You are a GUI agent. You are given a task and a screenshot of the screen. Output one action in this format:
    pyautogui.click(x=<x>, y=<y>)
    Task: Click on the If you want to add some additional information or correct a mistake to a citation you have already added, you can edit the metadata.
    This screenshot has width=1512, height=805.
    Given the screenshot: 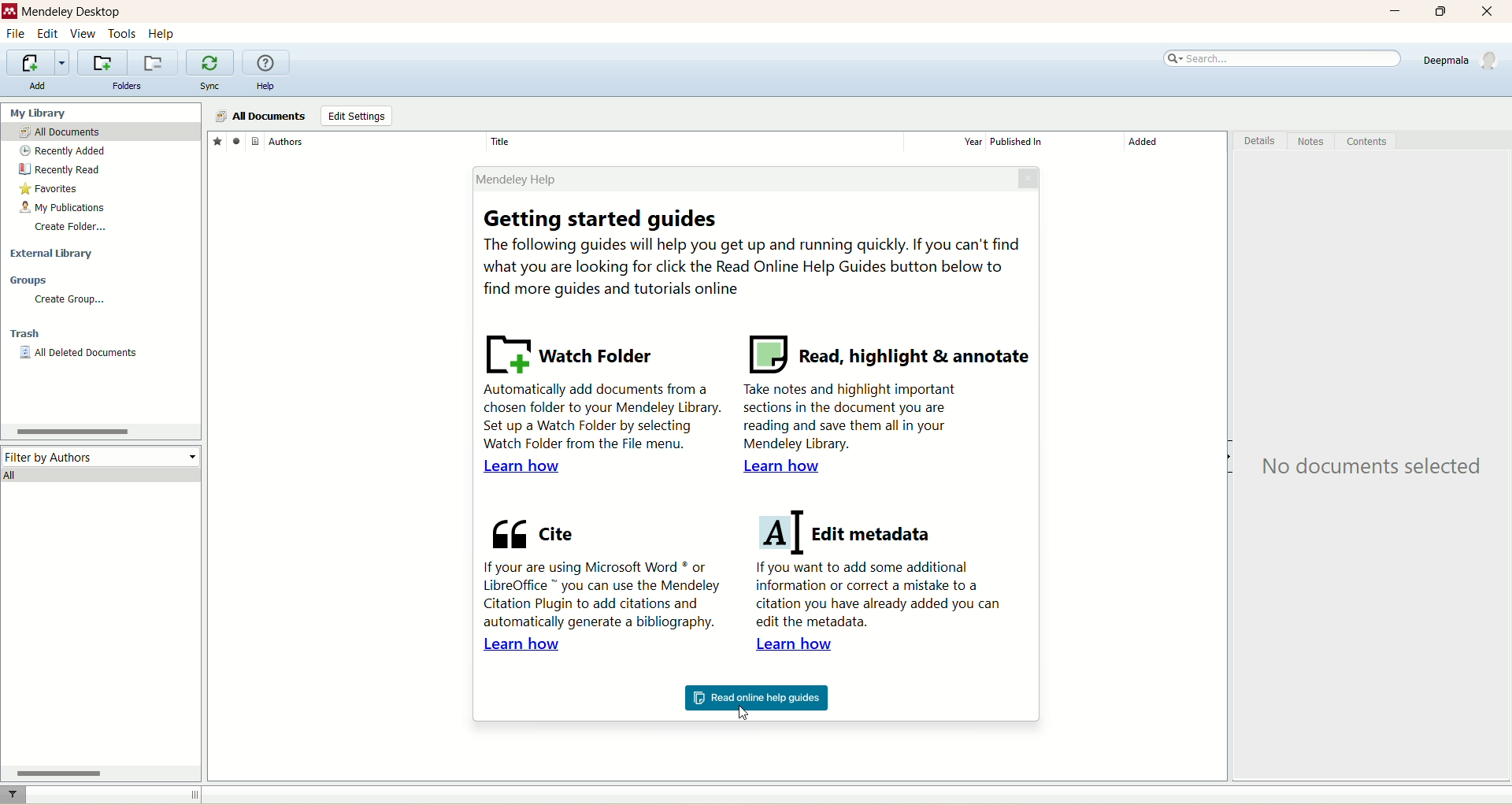 What is the action you would take?
    pyautogui.click(x=881, y=597)
    